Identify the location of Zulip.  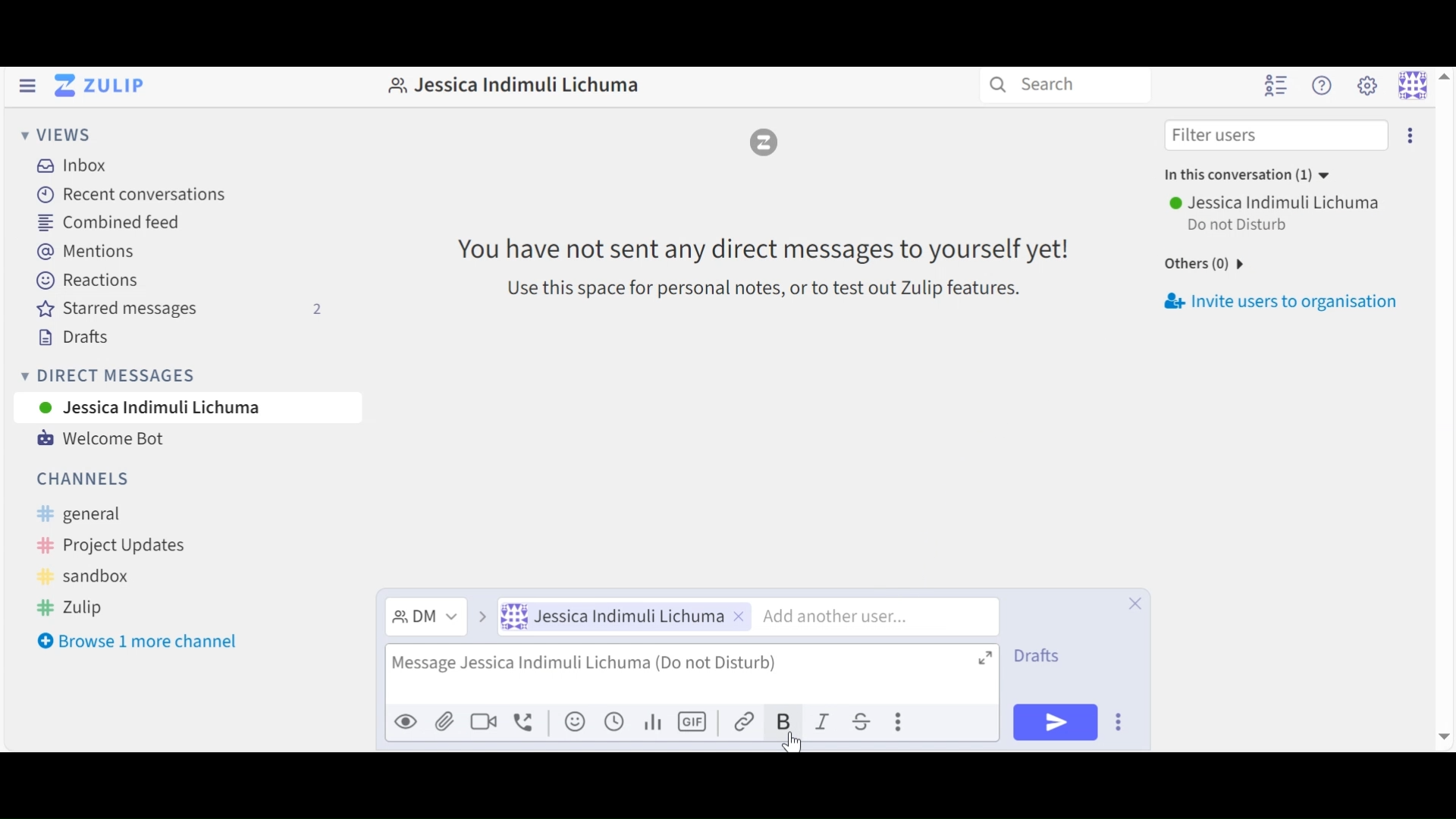
(69, 607).